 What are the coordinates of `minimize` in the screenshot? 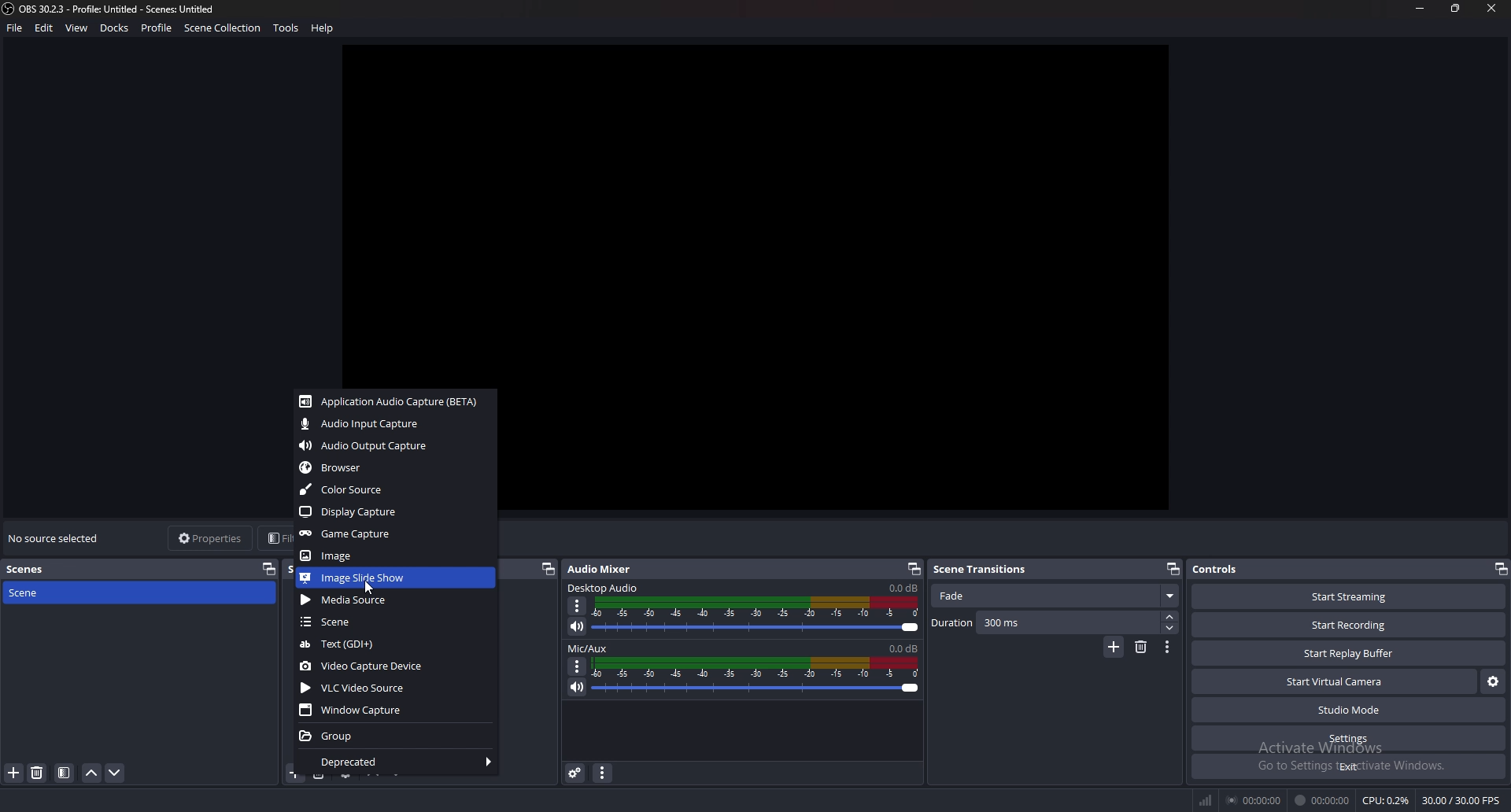 It's located at (1421, 9).